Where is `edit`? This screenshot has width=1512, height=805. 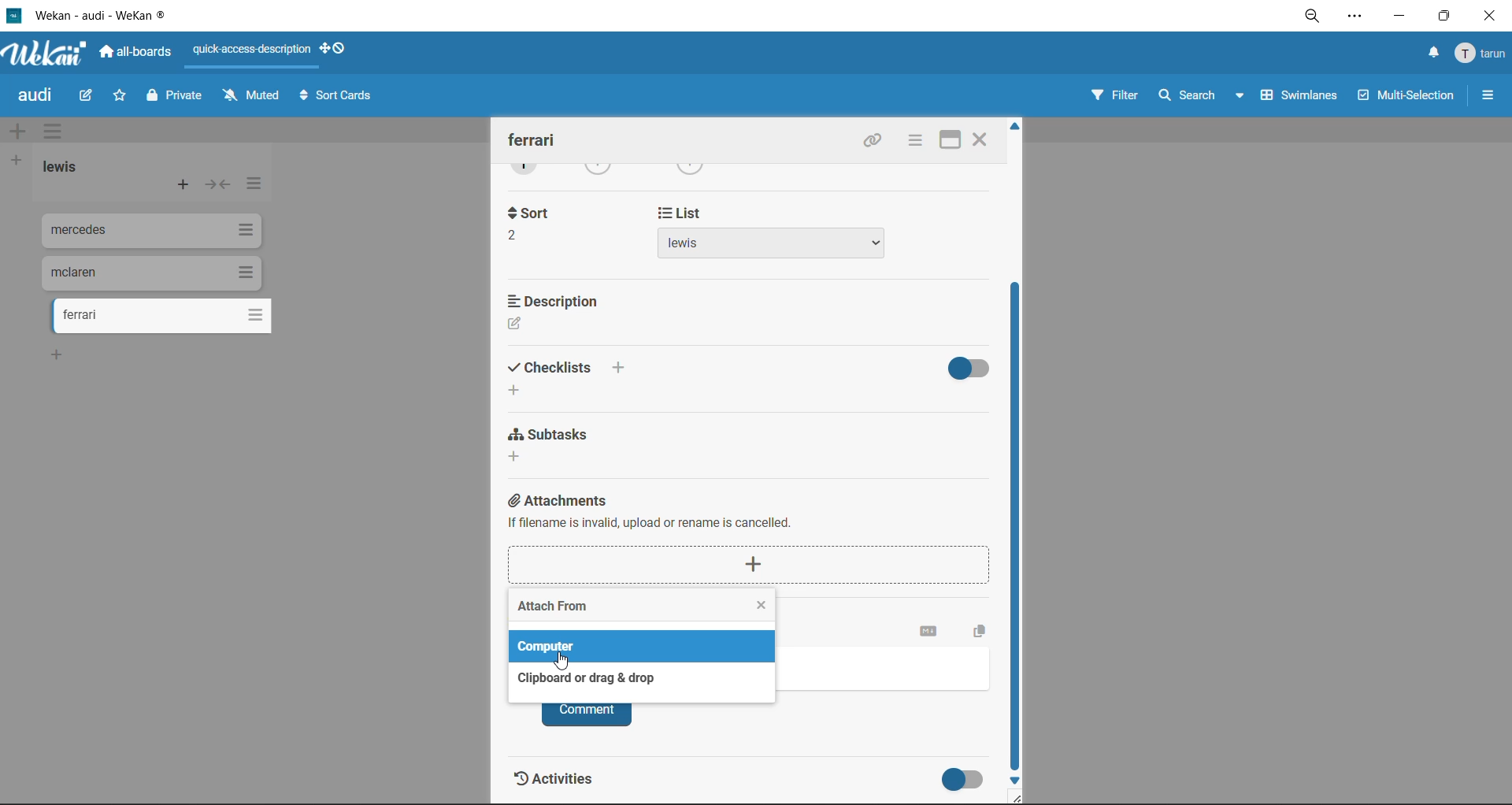 edit is located at coordinates (90, 96).